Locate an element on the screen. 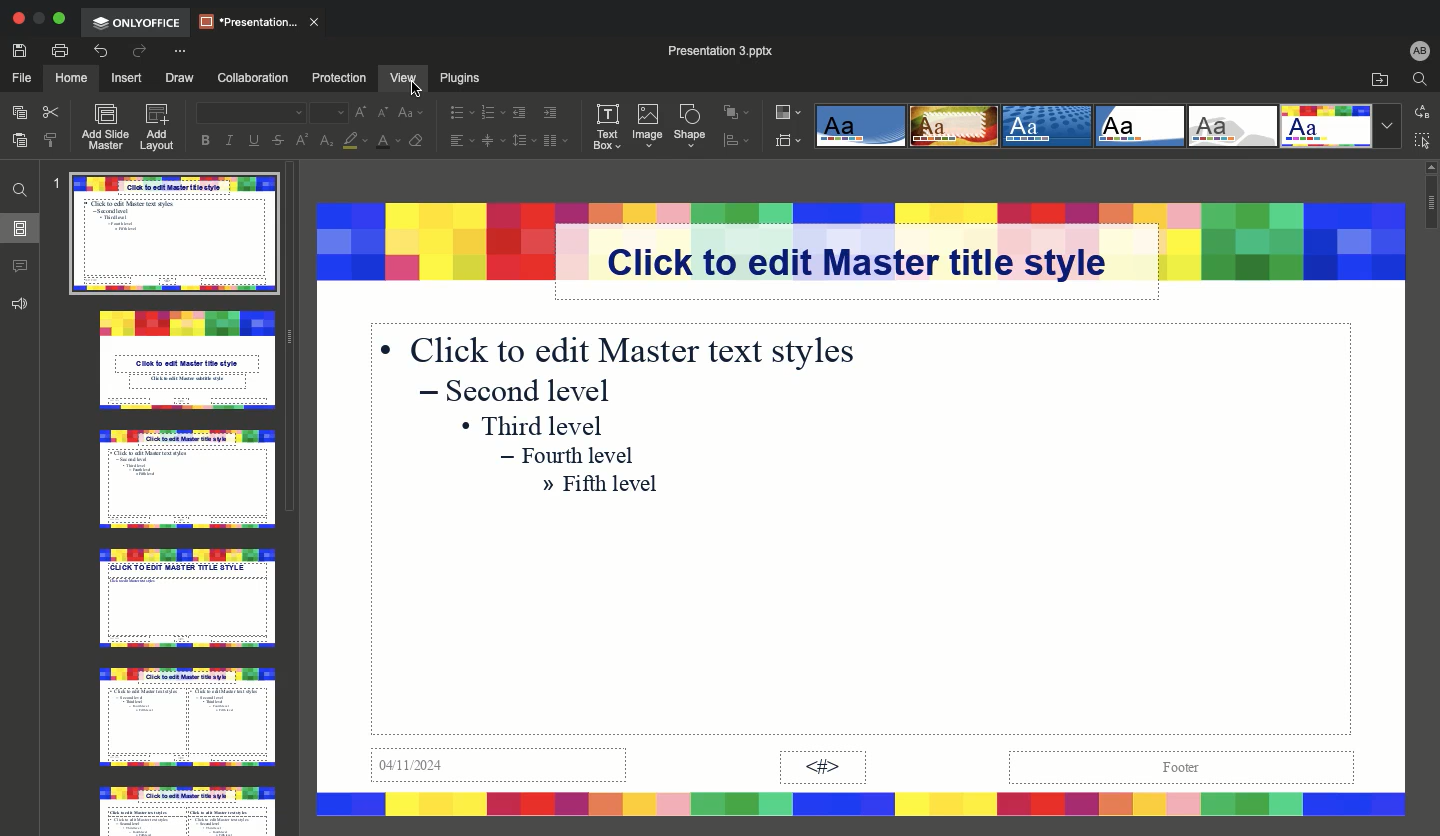 The height and width of the screenshot is (836, 1440). Footer is located at coordinates (1177, 767).